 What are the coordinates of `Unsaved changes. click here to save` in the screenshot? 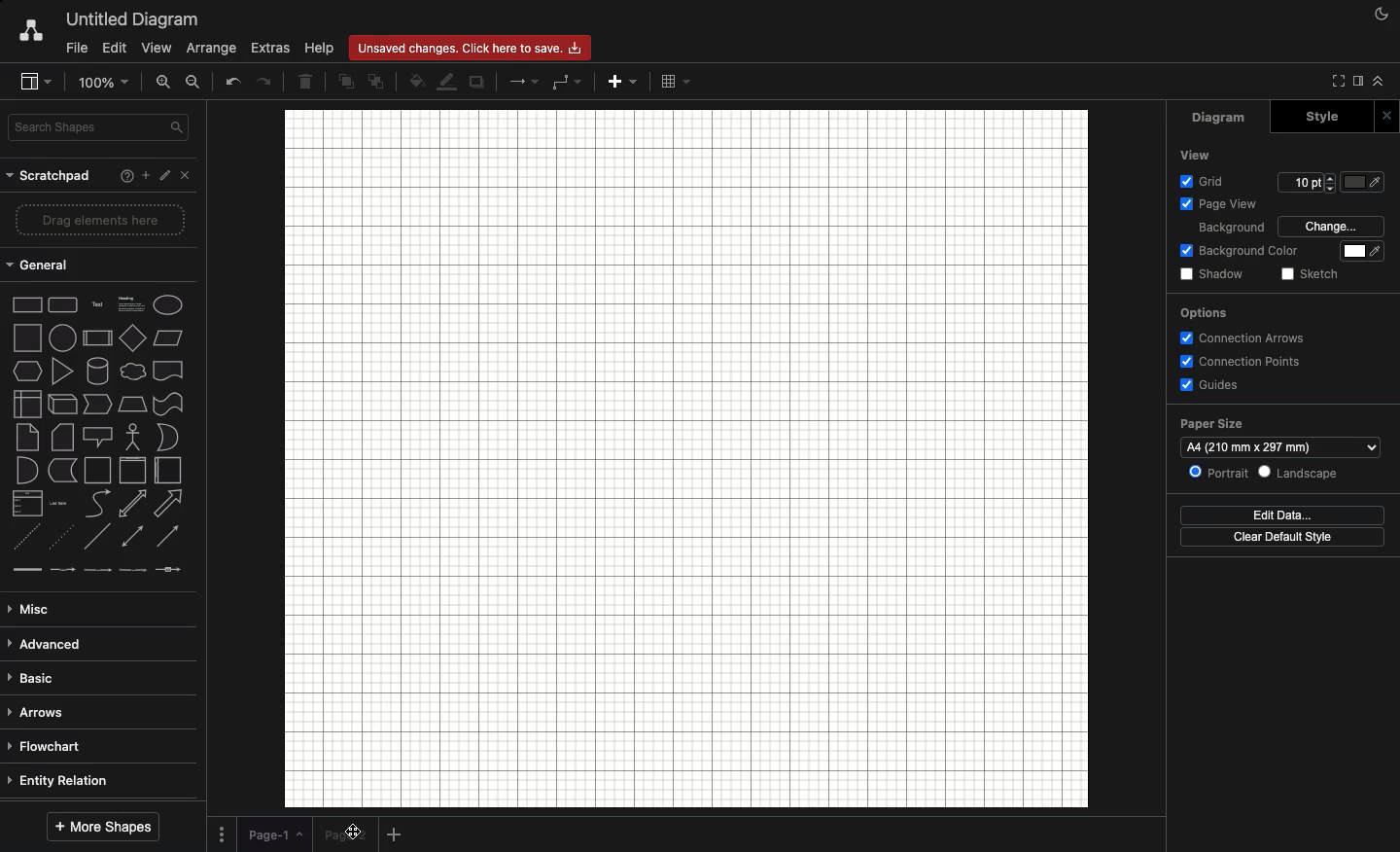 It's located at (466, 49).